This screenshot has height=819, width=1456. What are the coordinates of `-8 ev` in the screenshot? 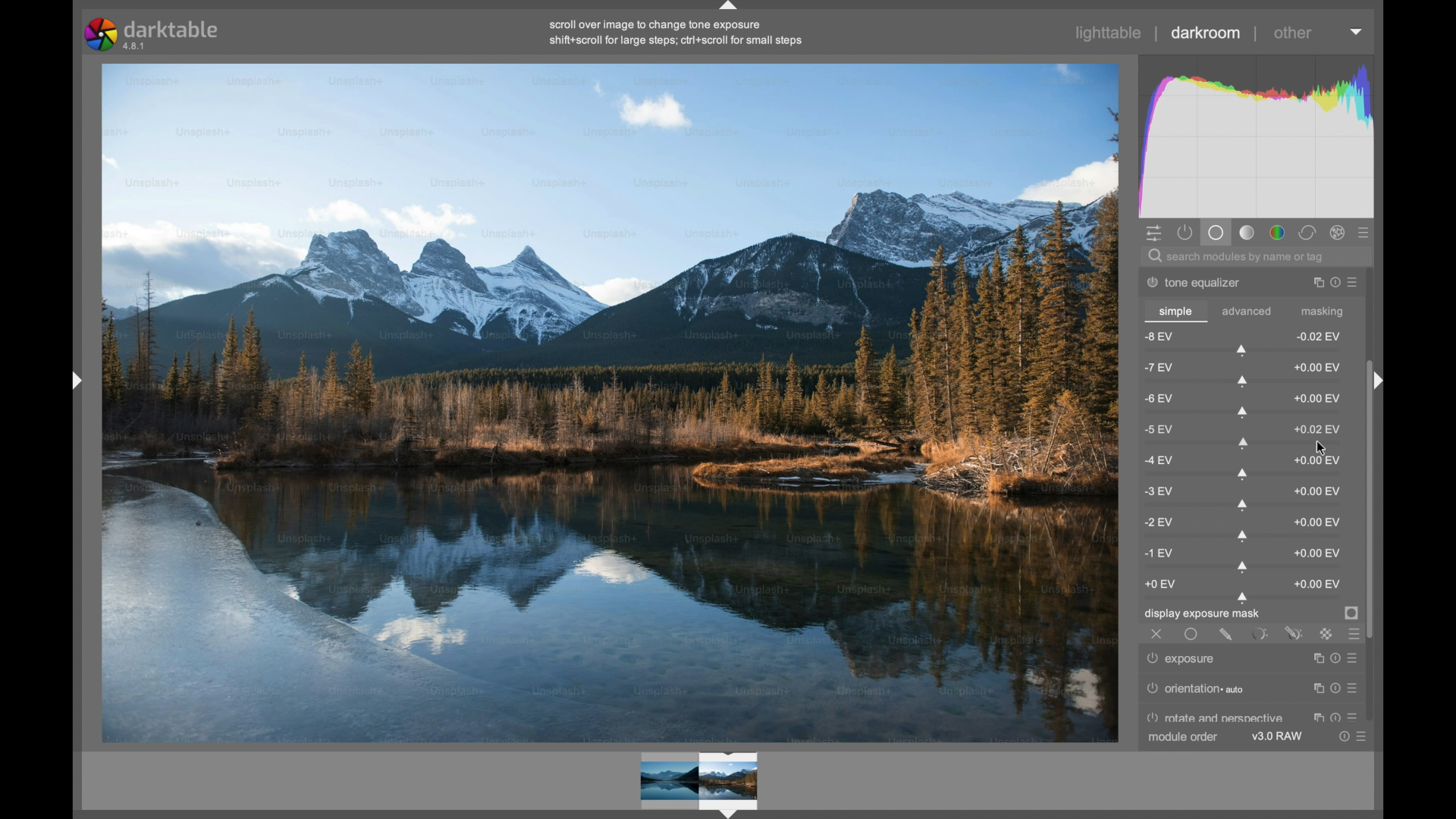 It's located at (1159, 337).